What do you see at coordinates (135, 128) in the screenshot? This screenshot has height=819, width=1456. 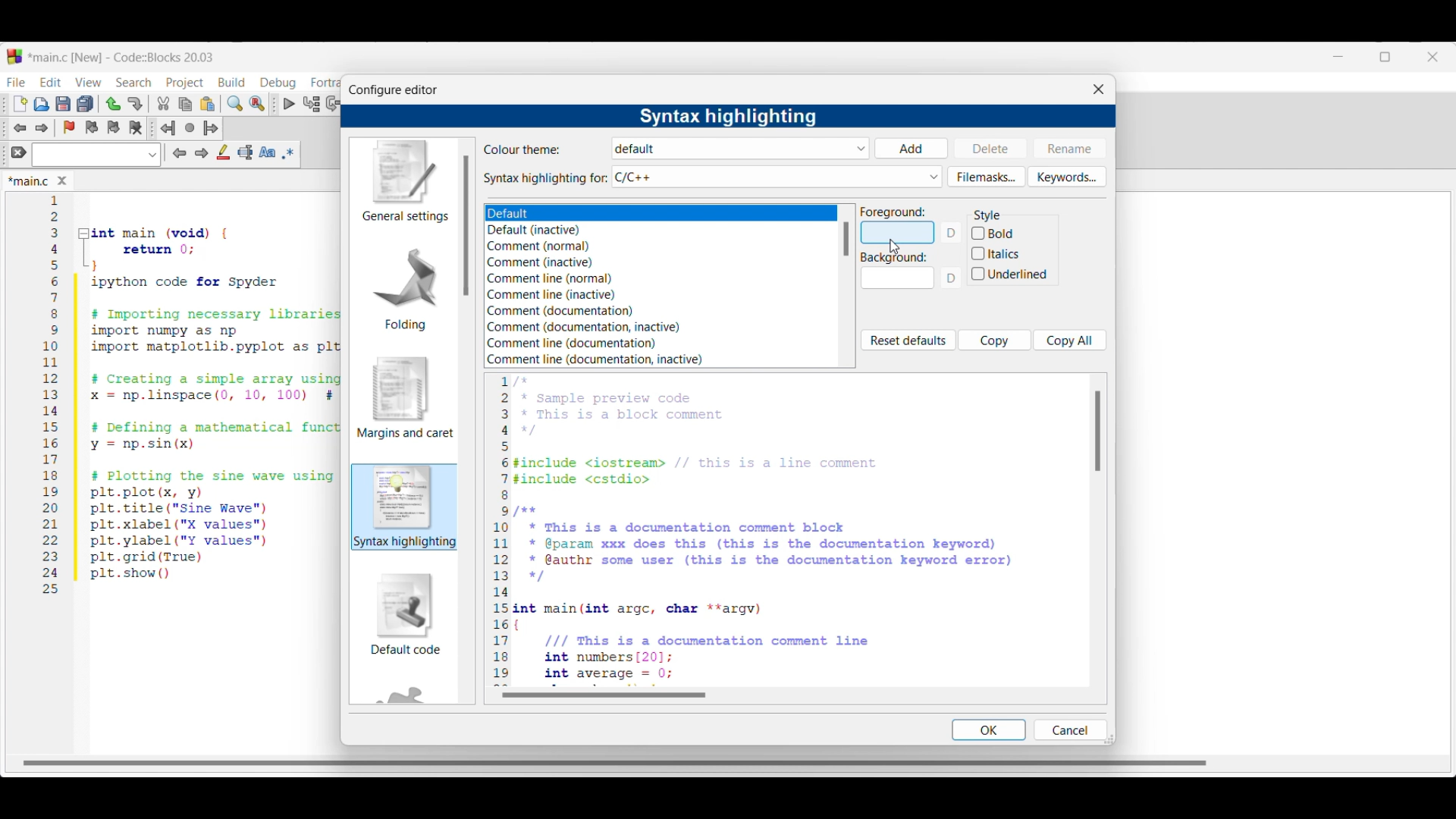 I see `Clear bookmarks` at bounding box center [135, 128].